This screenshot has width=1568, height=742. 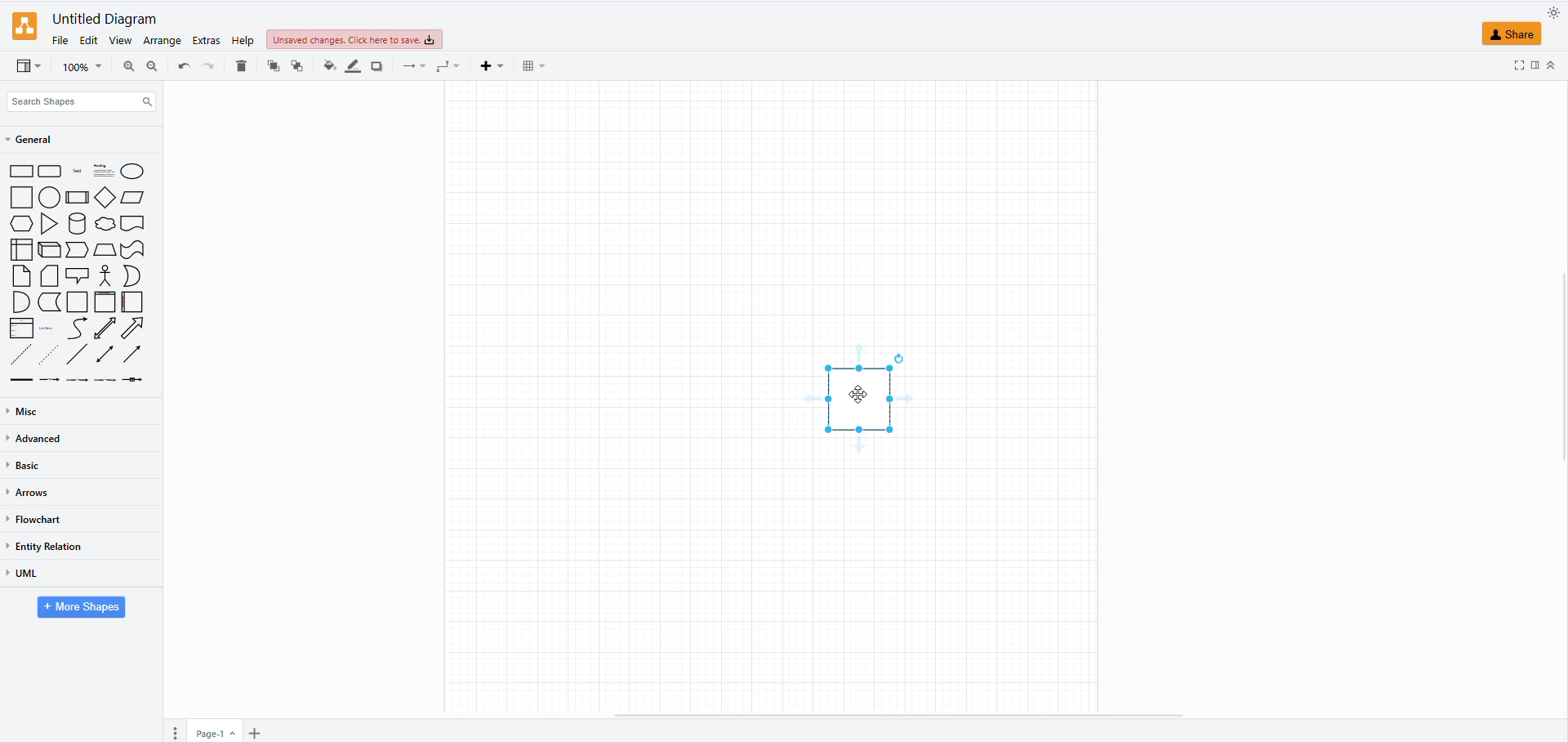 What do you see at coordinates (120, 41) in the screenshot?
I see `view` at bounding box center [120, 41].